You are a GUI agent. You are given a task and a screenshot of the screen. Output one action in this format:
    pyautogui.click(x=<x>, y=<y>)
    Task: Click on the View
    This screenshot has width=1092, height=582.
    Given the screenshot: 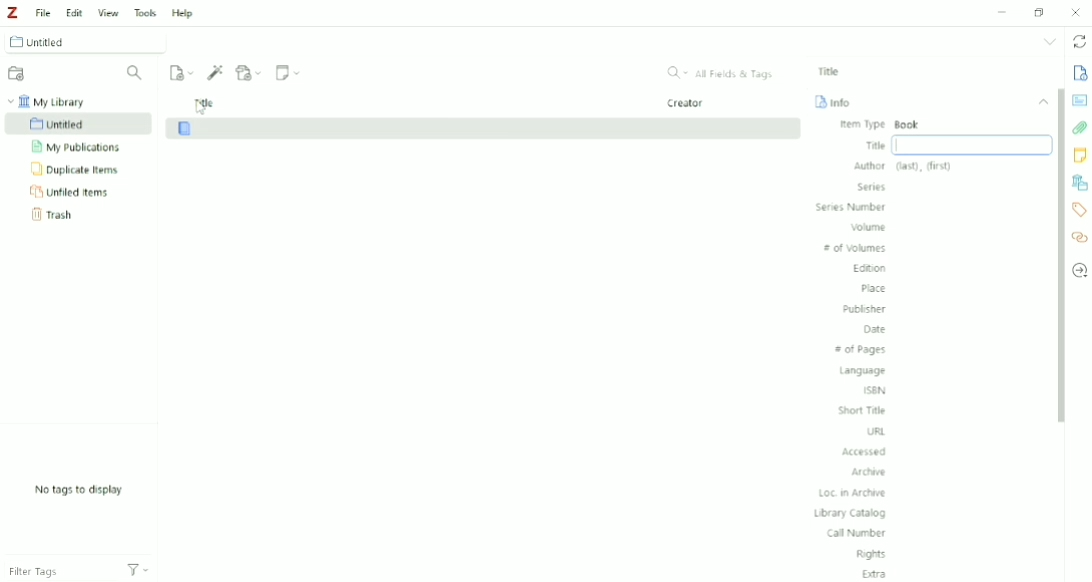 What is the action you would take?
    pyautogui.click(x=107, y=10)
    